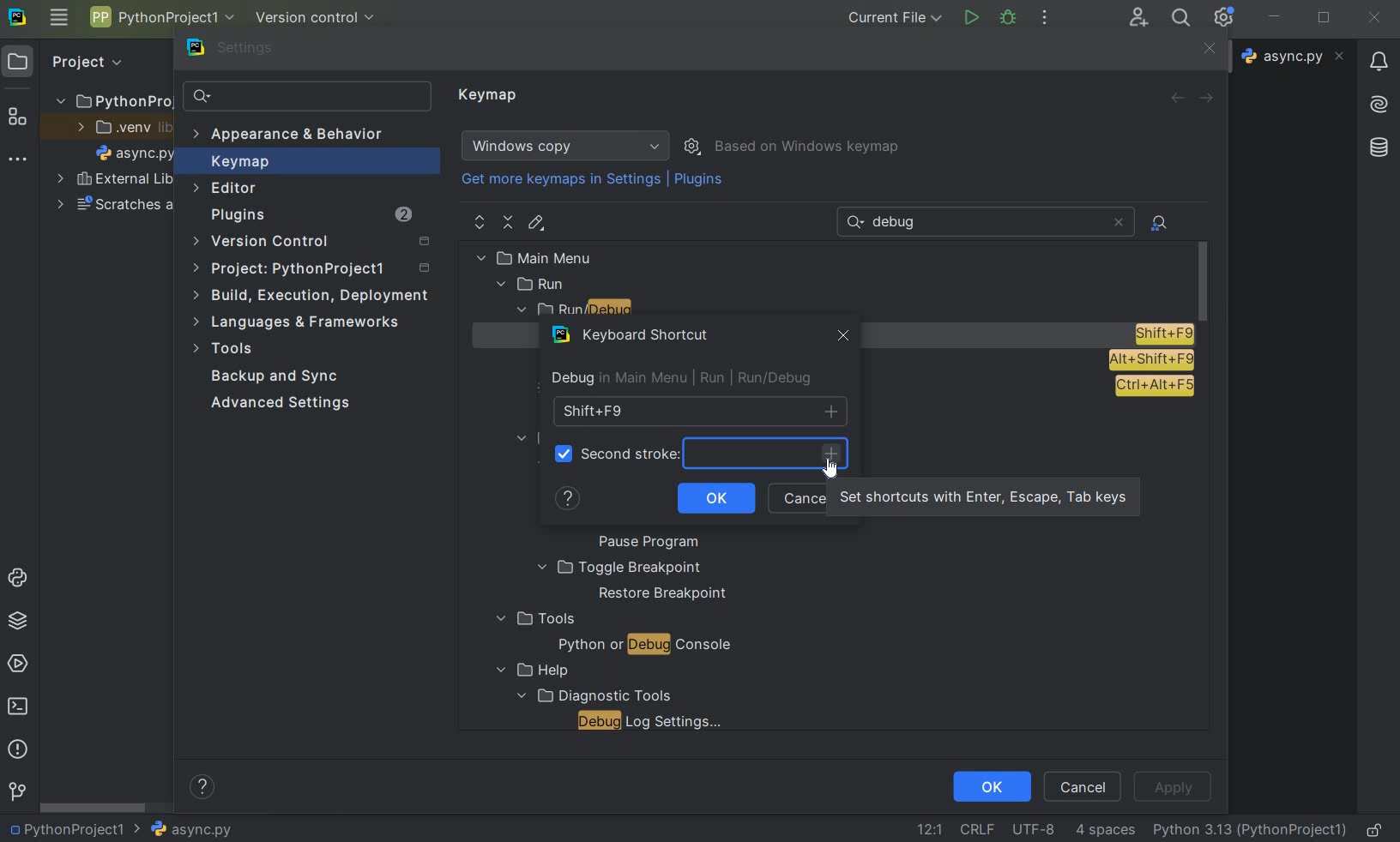 The height and width of the screenshot is (842, 1400). What do you see at coordinates (643, 543) in the screenshot?
I see `pause program` at bounding box center [643, 543].